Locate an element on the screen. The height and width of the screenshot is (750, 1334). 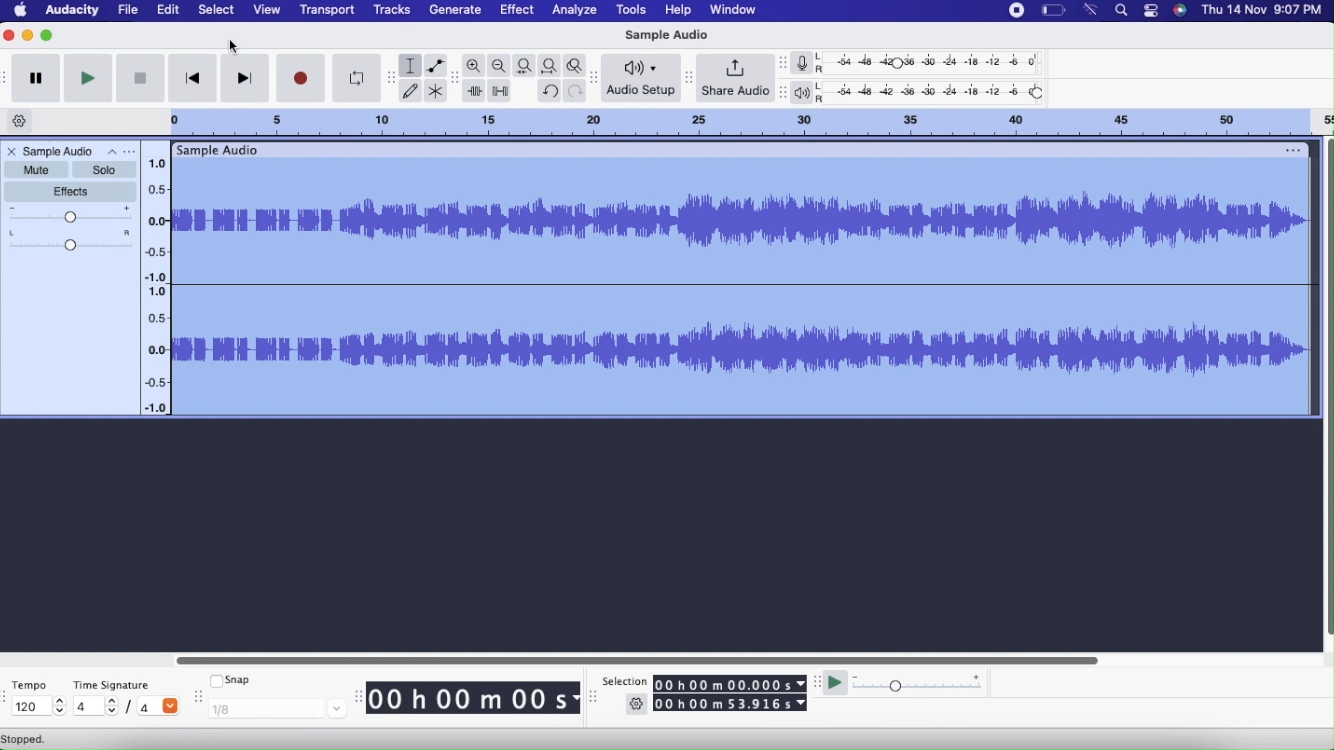
Time Signature is located at coordinates (112, 681).